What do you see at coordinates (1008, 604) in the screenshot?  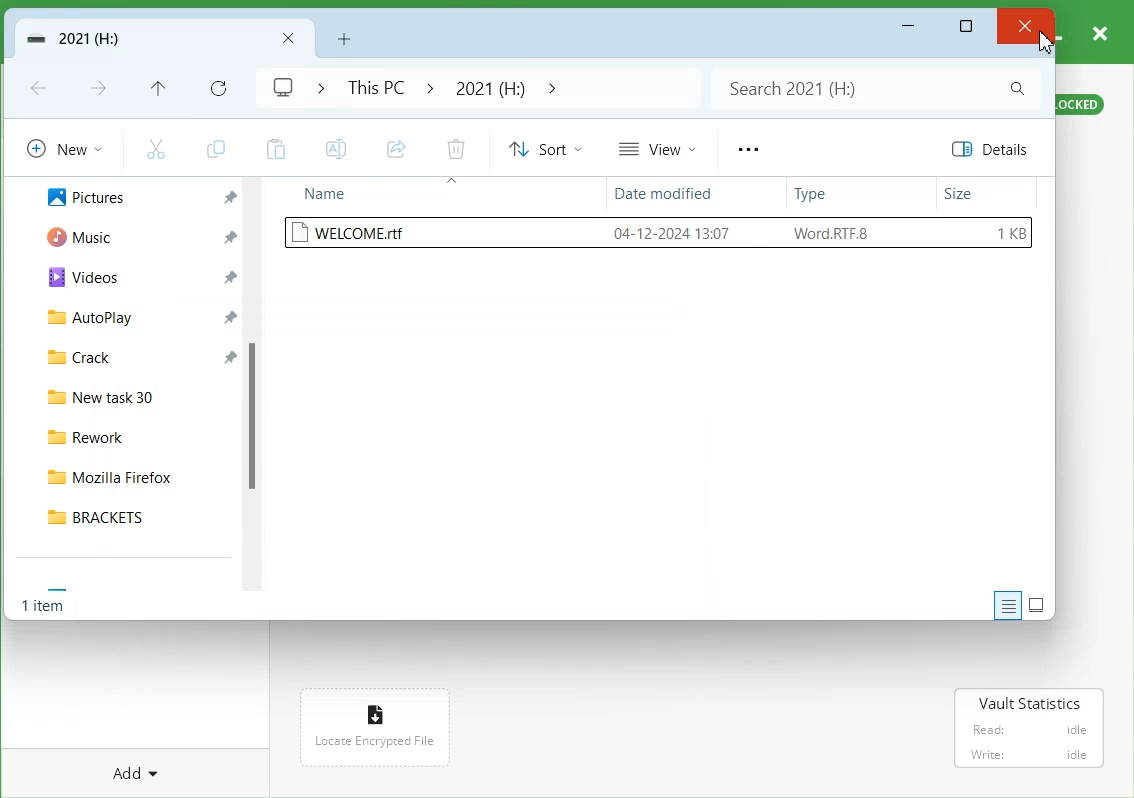 I see `Display information about each item to the window` at bounding box center [1008, 604].